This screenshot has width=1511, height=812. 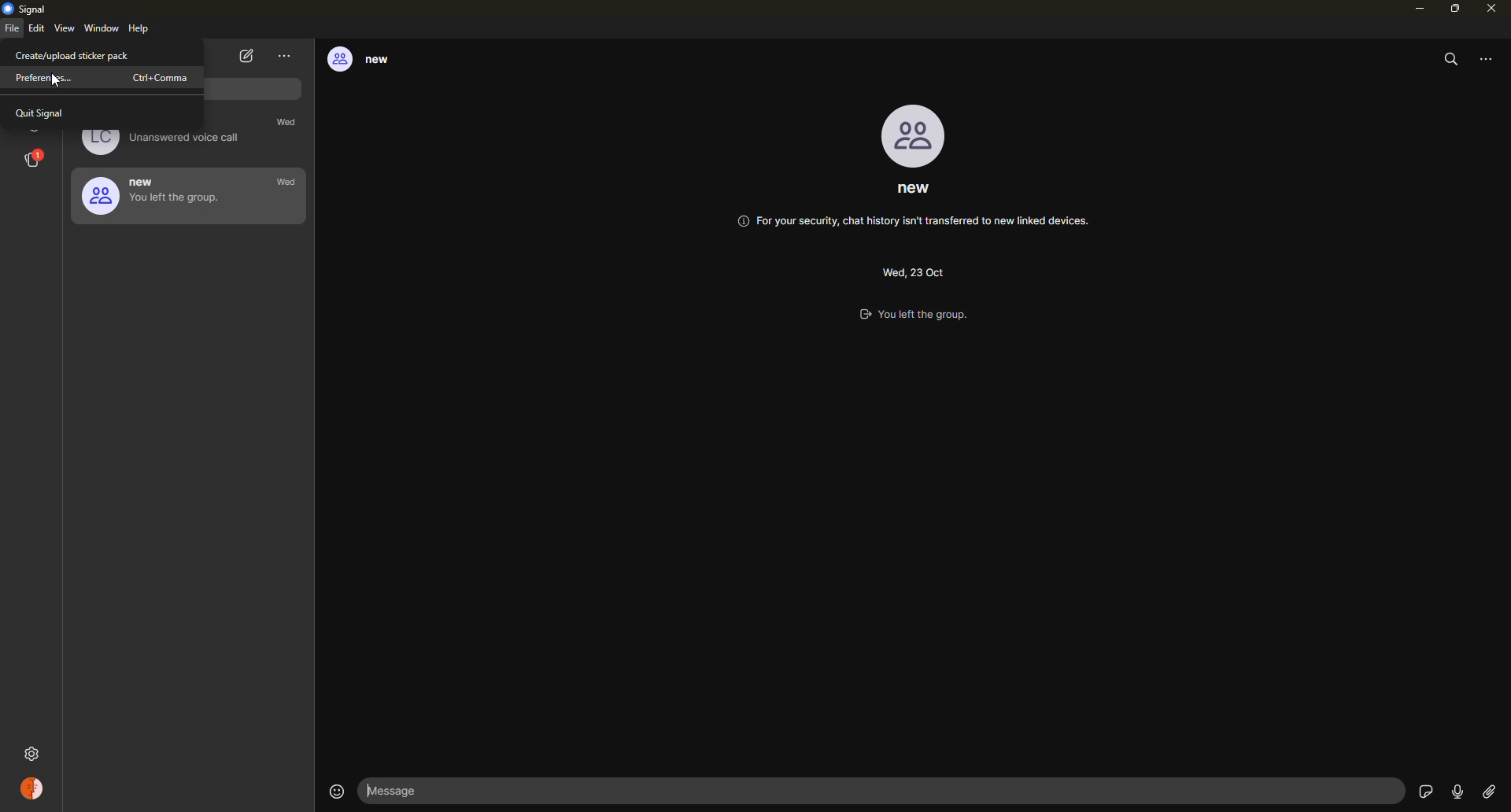 What do you see at coordinates (916, 136) in the screenshot?
I see `profile` at bounding box center [916, 136].